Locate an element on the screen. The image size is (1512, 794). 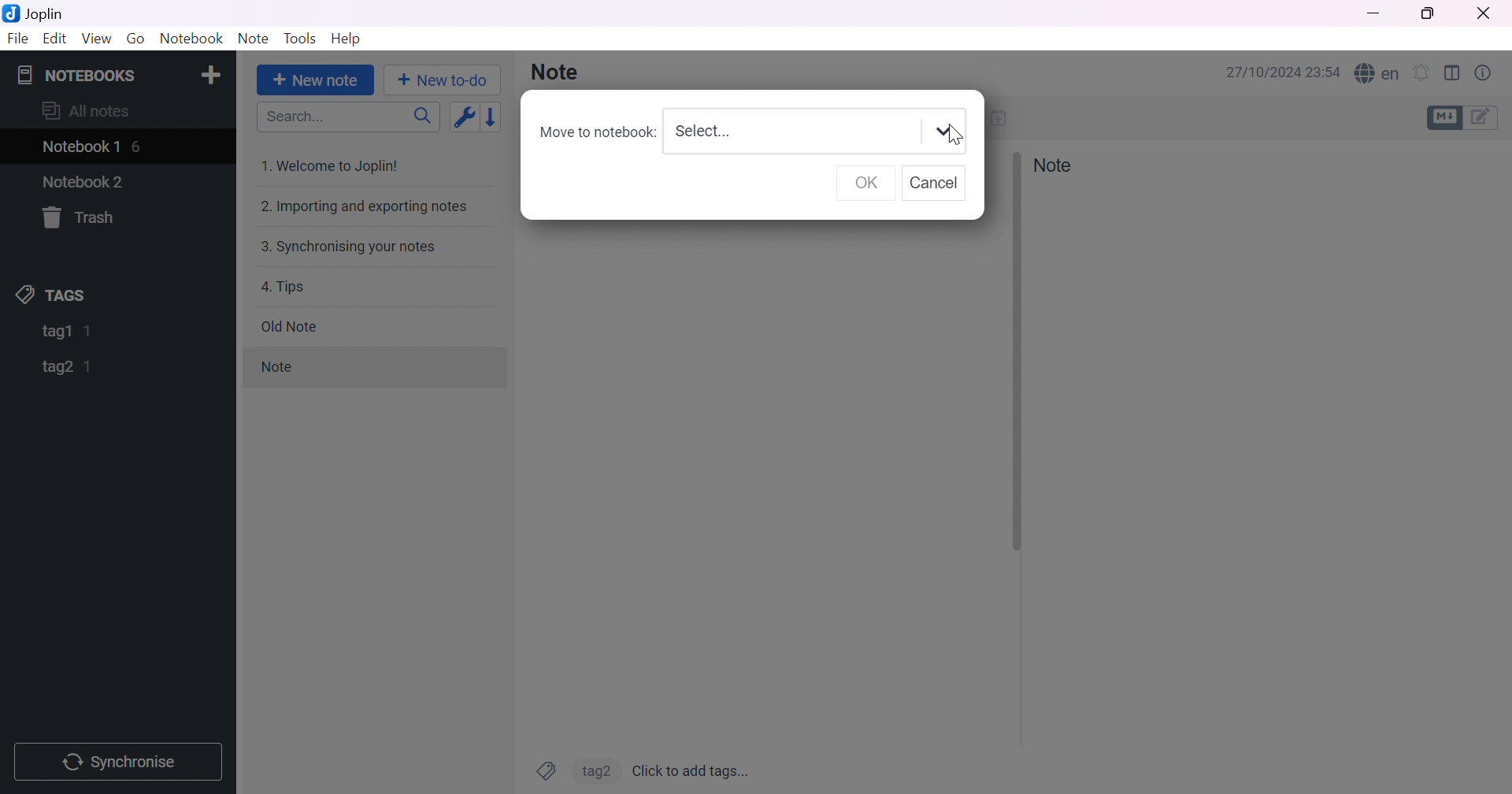
Toggle editor layout is located at coordinates (1455, 74).